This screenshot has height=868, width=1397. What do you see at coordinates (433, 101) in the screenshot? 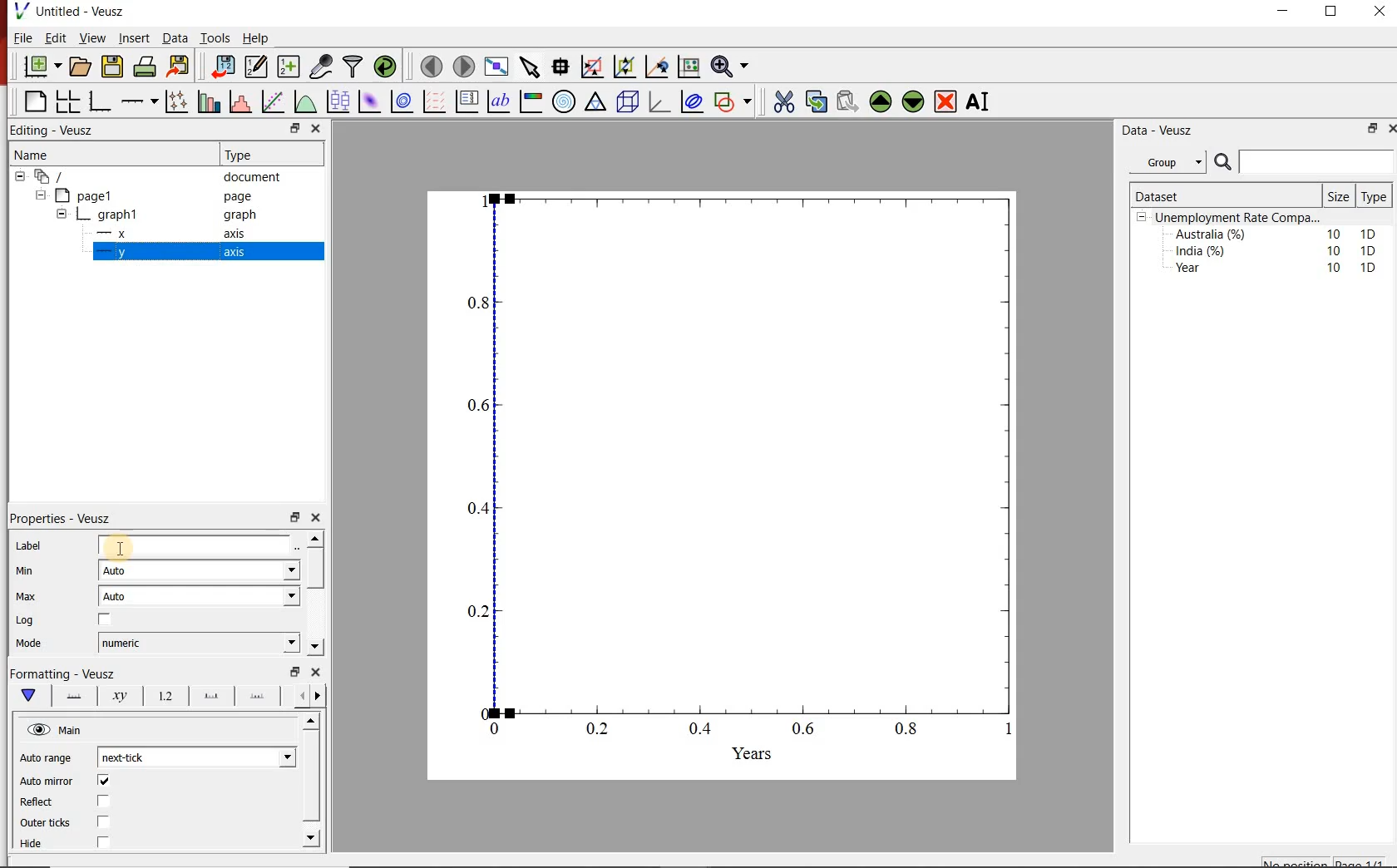
I see `plot vector field` at bounding box center [433, 101].